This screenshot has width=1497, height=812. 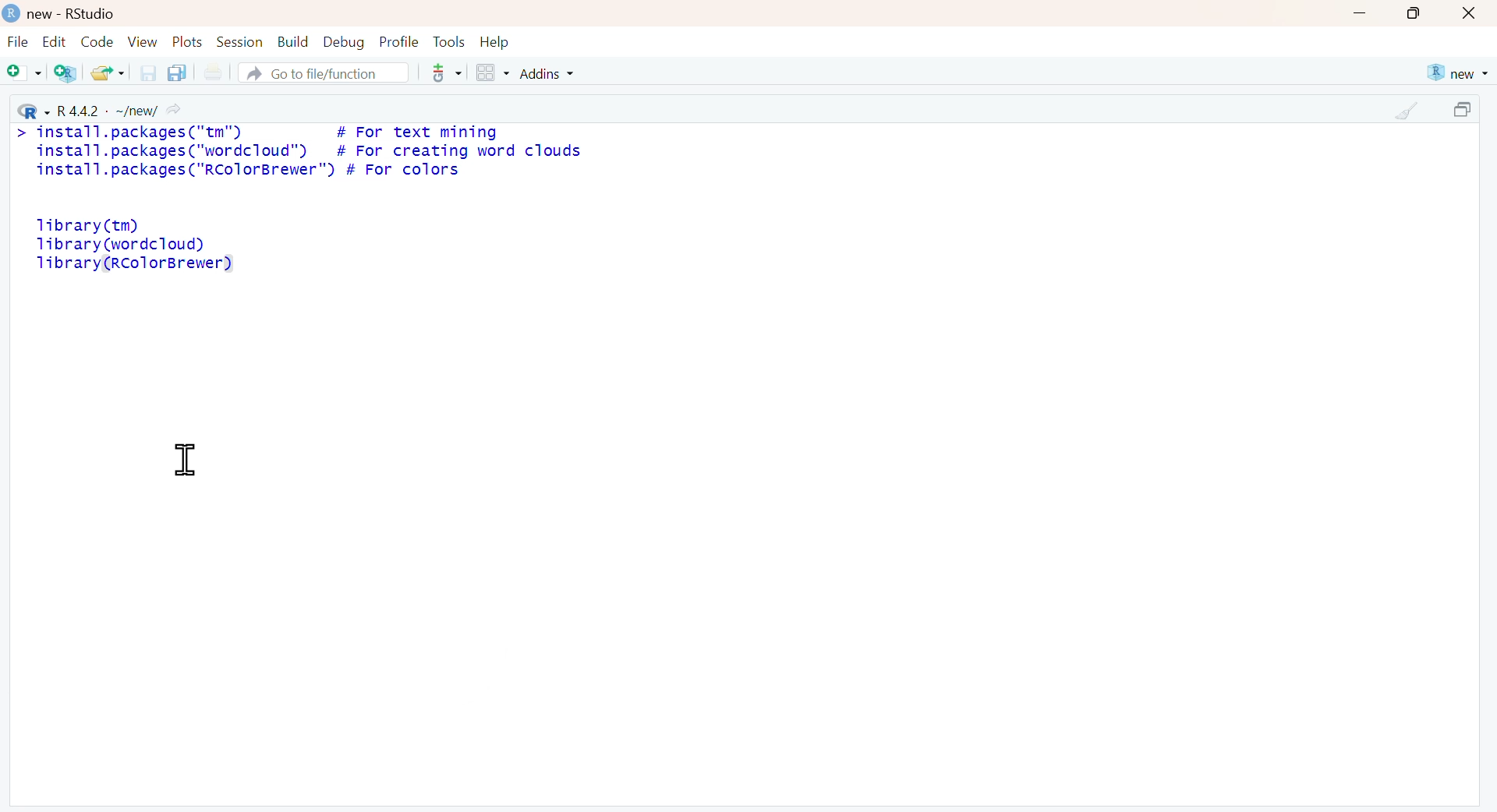 What do you see at coordinates (1456, 72) in the screenshot?
I see `new` at bounding box center [1456, 72].